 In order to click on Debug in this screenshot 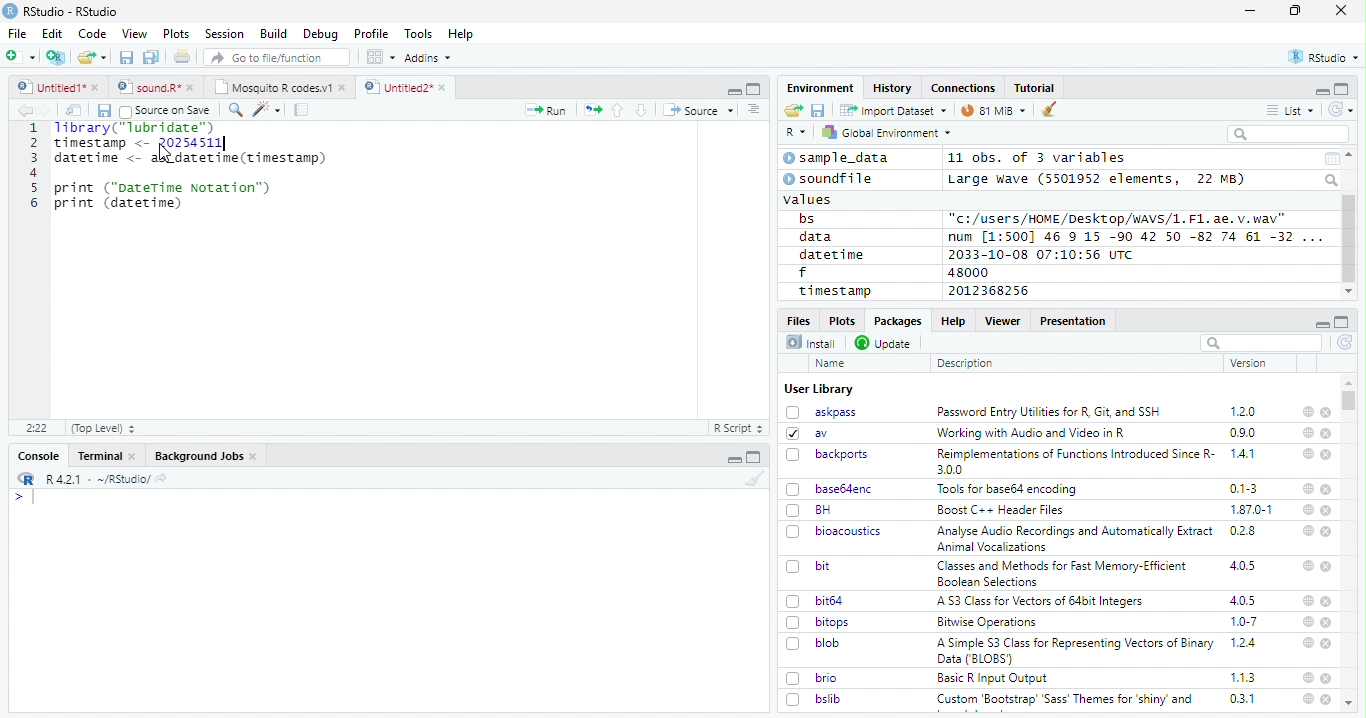, I will do `click(321, 34)`.